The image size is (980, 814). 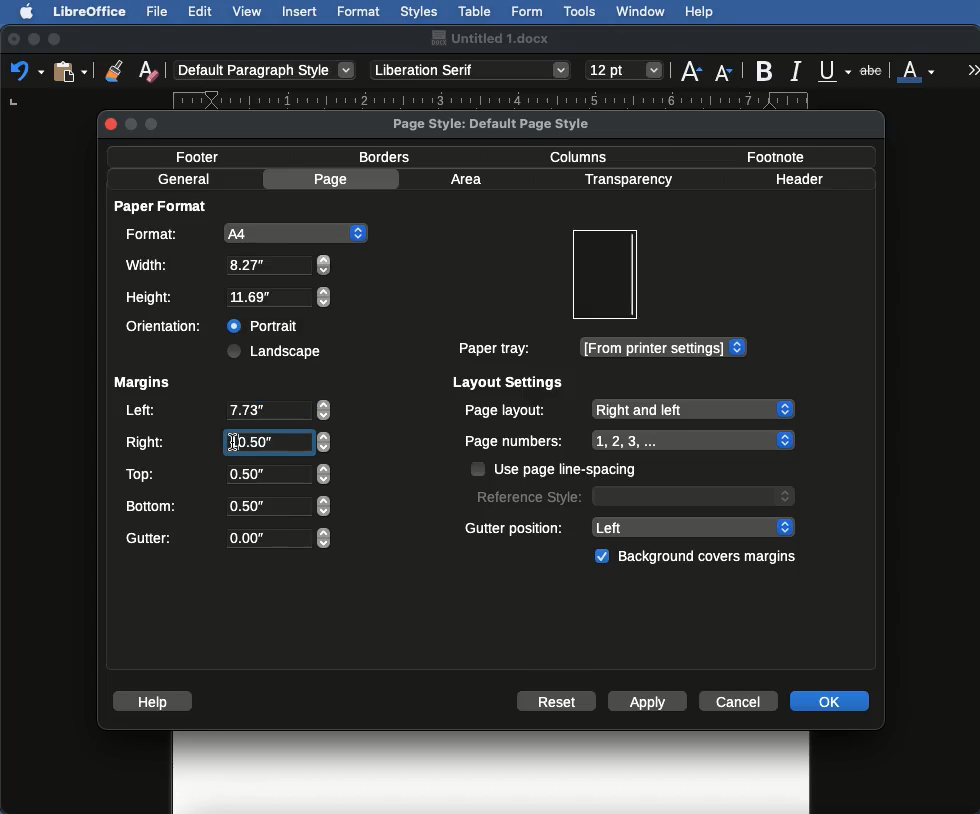 What do you see at coordinates (690, 69) in the screenshot?
I see `Size increase` at bounding box center [690, 69].